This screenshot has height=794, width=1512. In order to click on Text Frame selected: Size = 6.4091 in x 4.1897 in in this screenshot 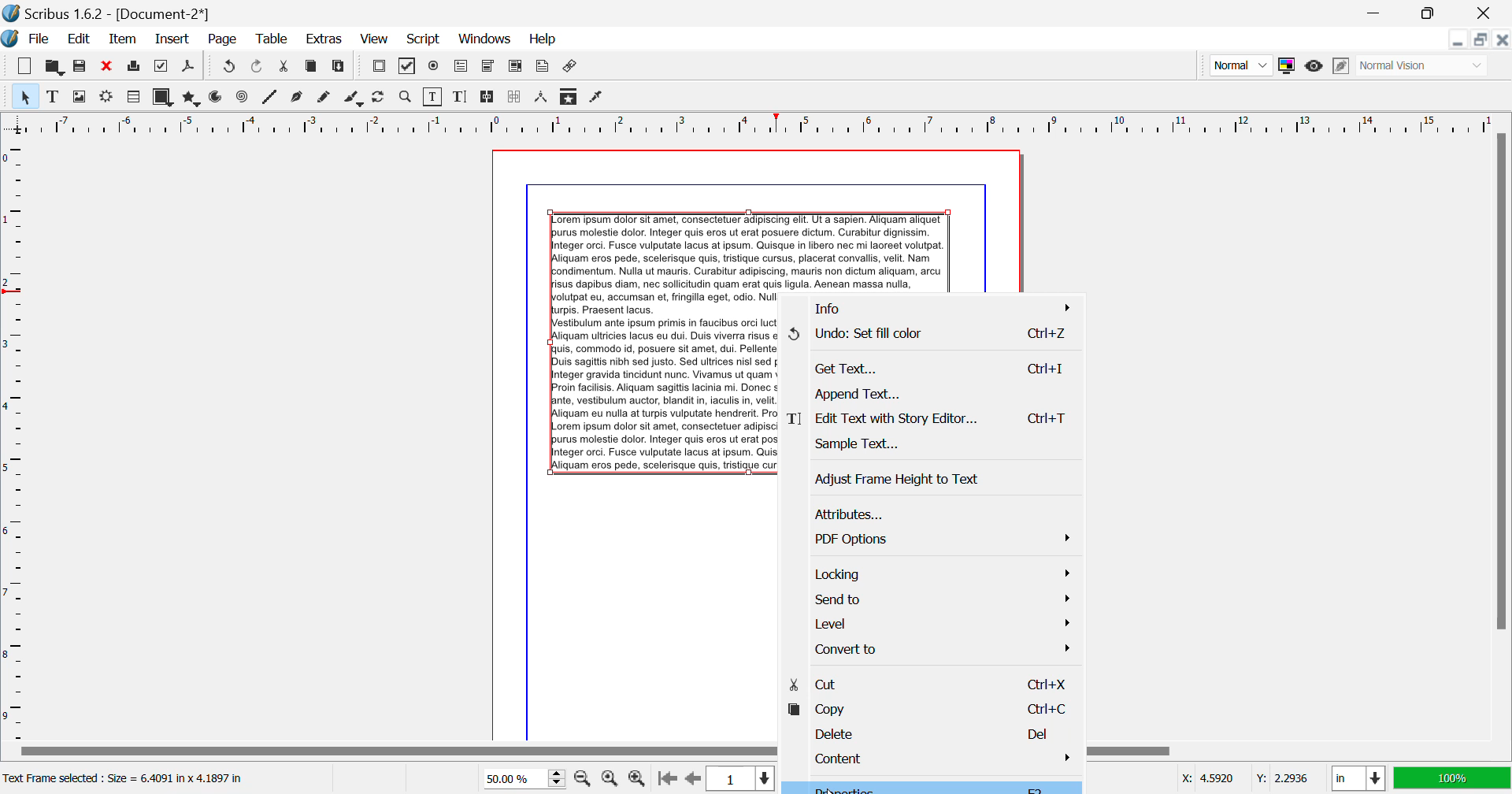, I will do `click(127, 779)`.